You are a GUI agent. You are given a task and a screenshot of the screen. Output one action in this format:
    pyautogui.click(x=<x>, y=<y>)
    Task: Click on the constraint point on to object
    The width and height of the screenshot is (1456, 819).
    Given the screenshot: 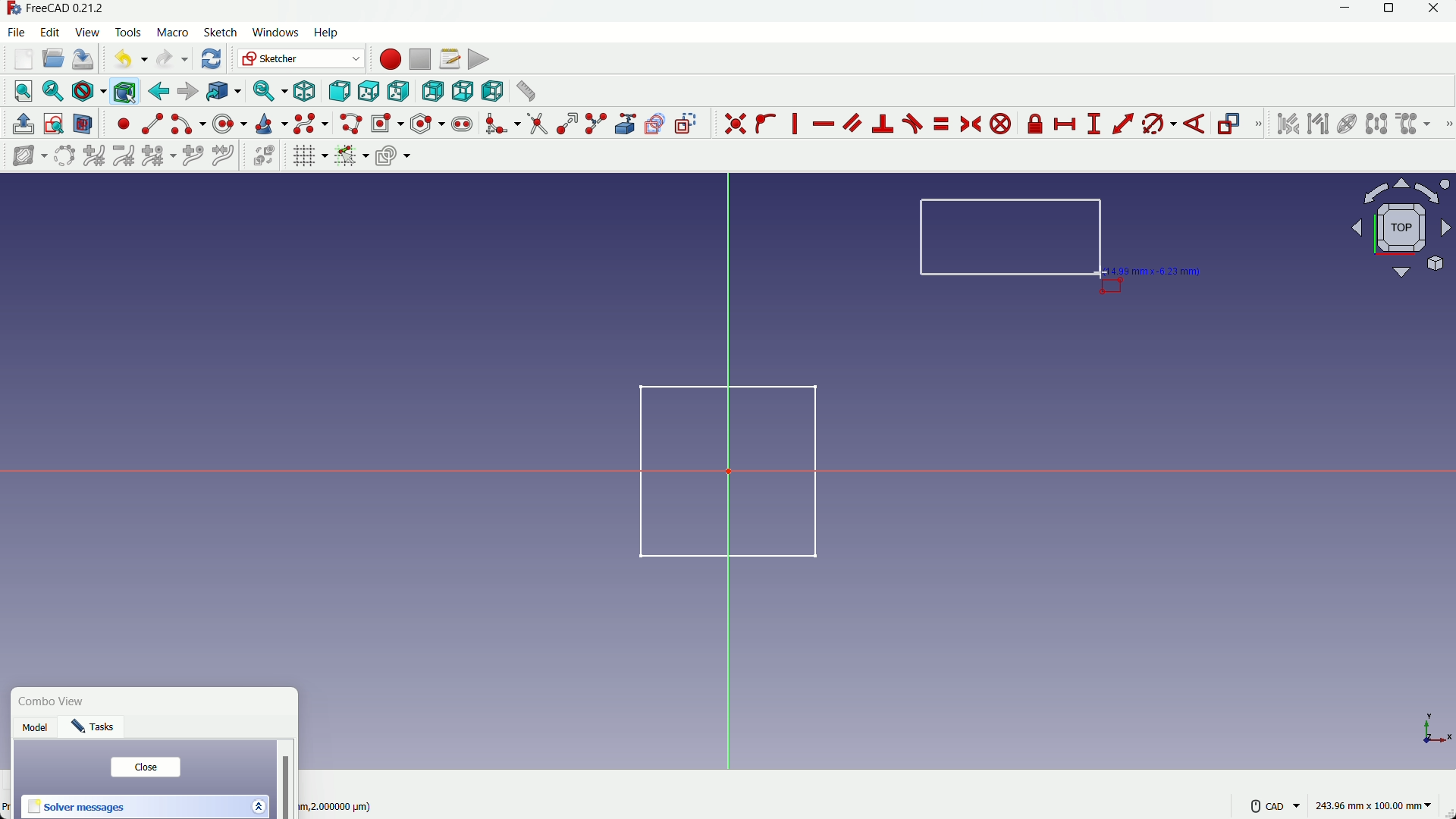 What is the action you would take?
    pyautogui.click(x=767, y=124)
    